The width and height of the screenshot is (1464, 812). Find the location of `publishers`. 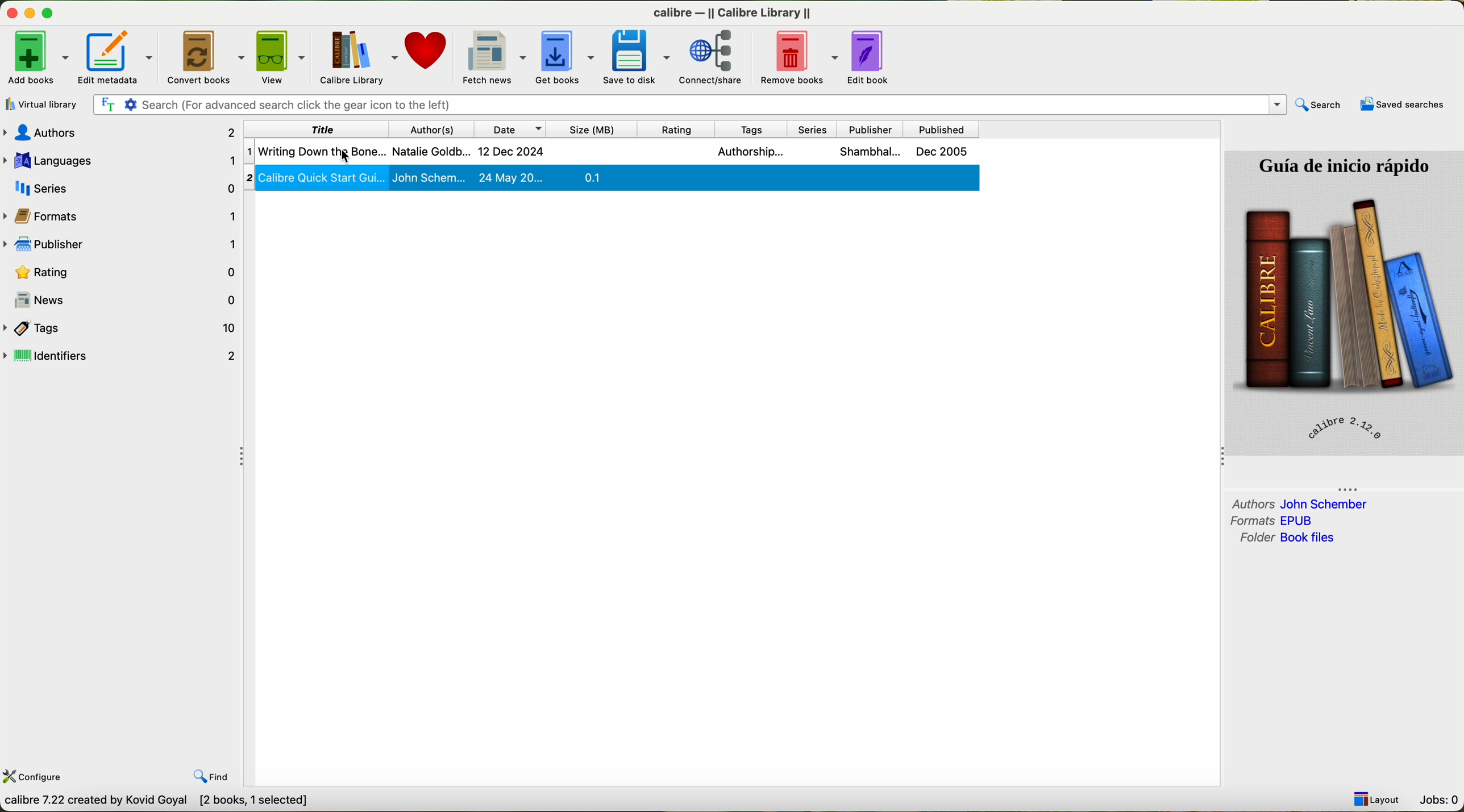

publishers is located at coordinates (128, 247).